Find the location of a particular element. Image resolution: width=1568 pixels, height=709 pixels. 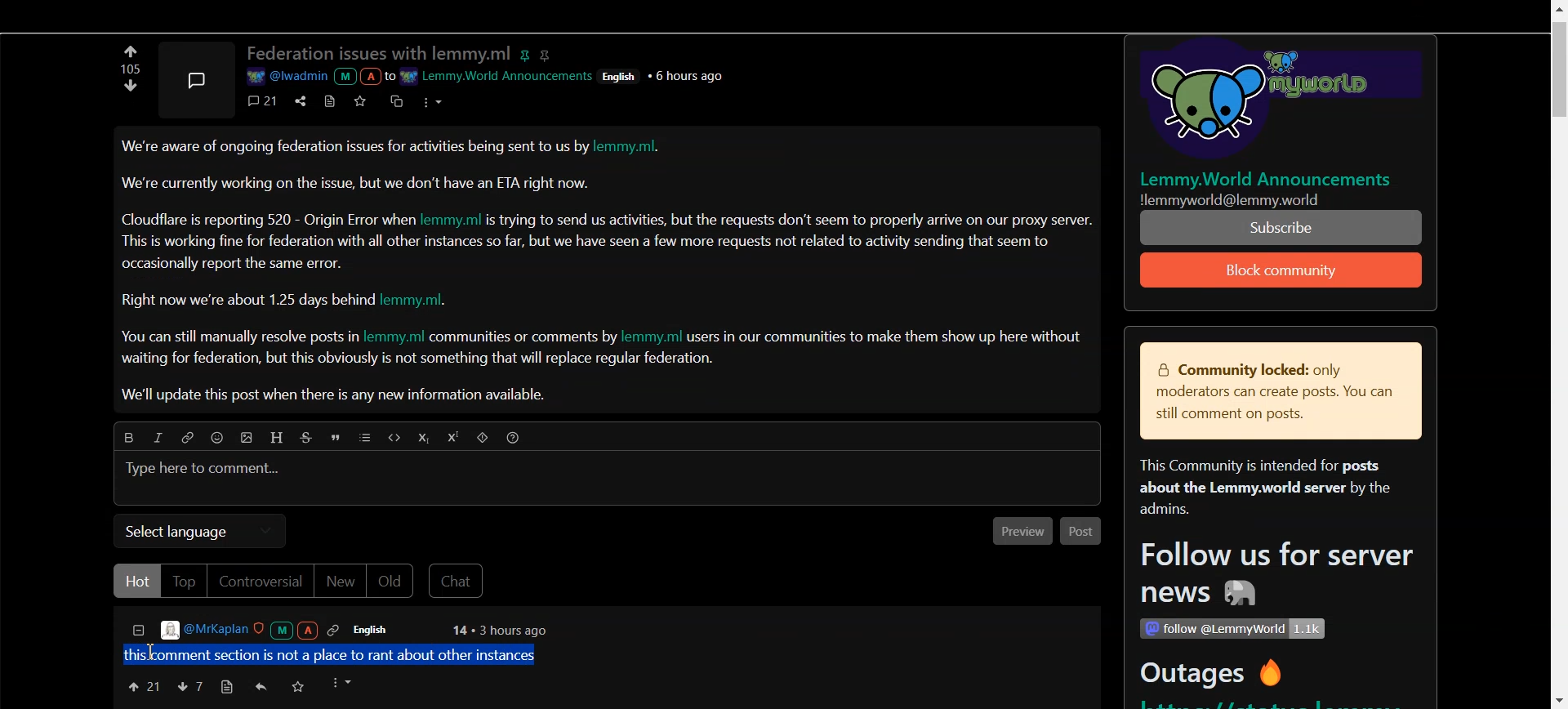

cross posts is located at coordinates (398, 100).